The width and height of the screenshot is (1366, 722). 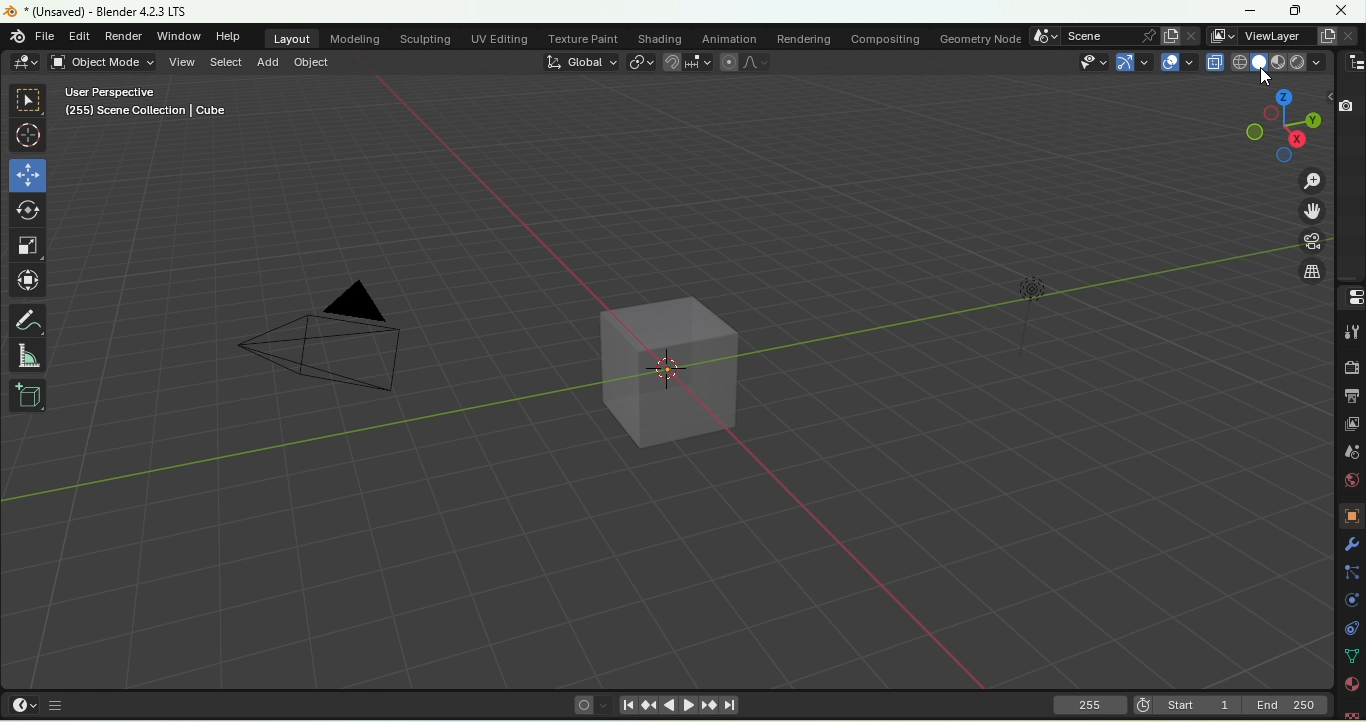 What do you see at coordinates (295, 38) in the screenshot?
I see `Layout` at bounding box center [295, 38].